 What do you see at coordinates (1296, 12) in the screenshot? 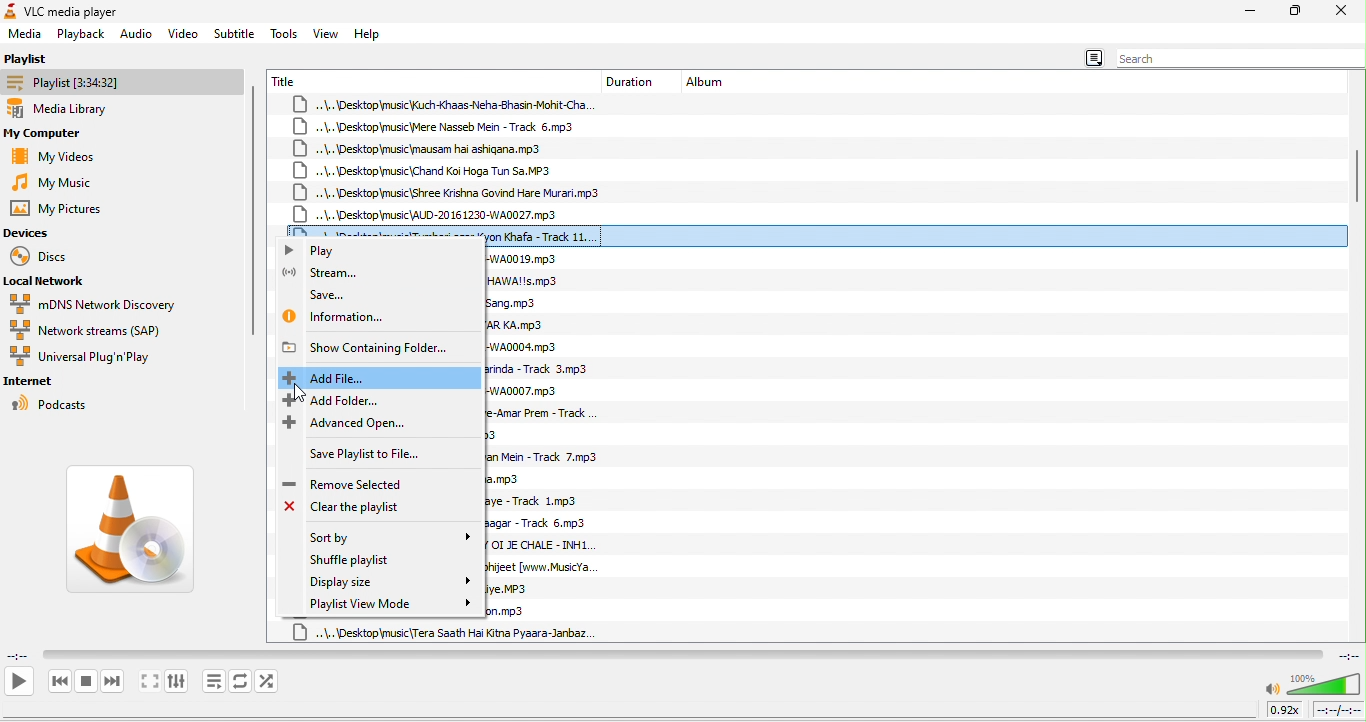
I see `maximize` at bounding box center [1296, 12].